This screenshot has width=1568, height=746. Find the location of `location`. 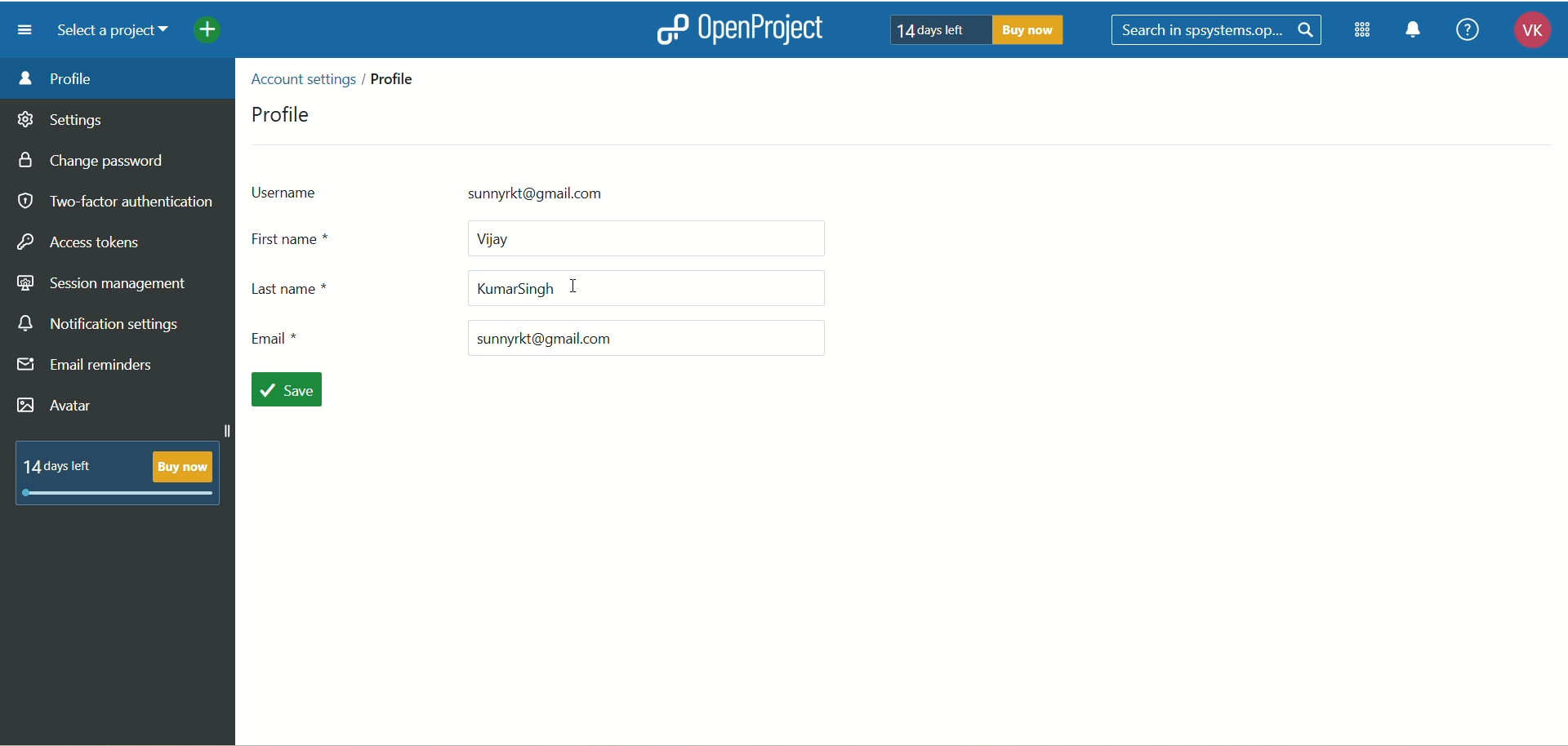

location is located at coordinates (340, 77).